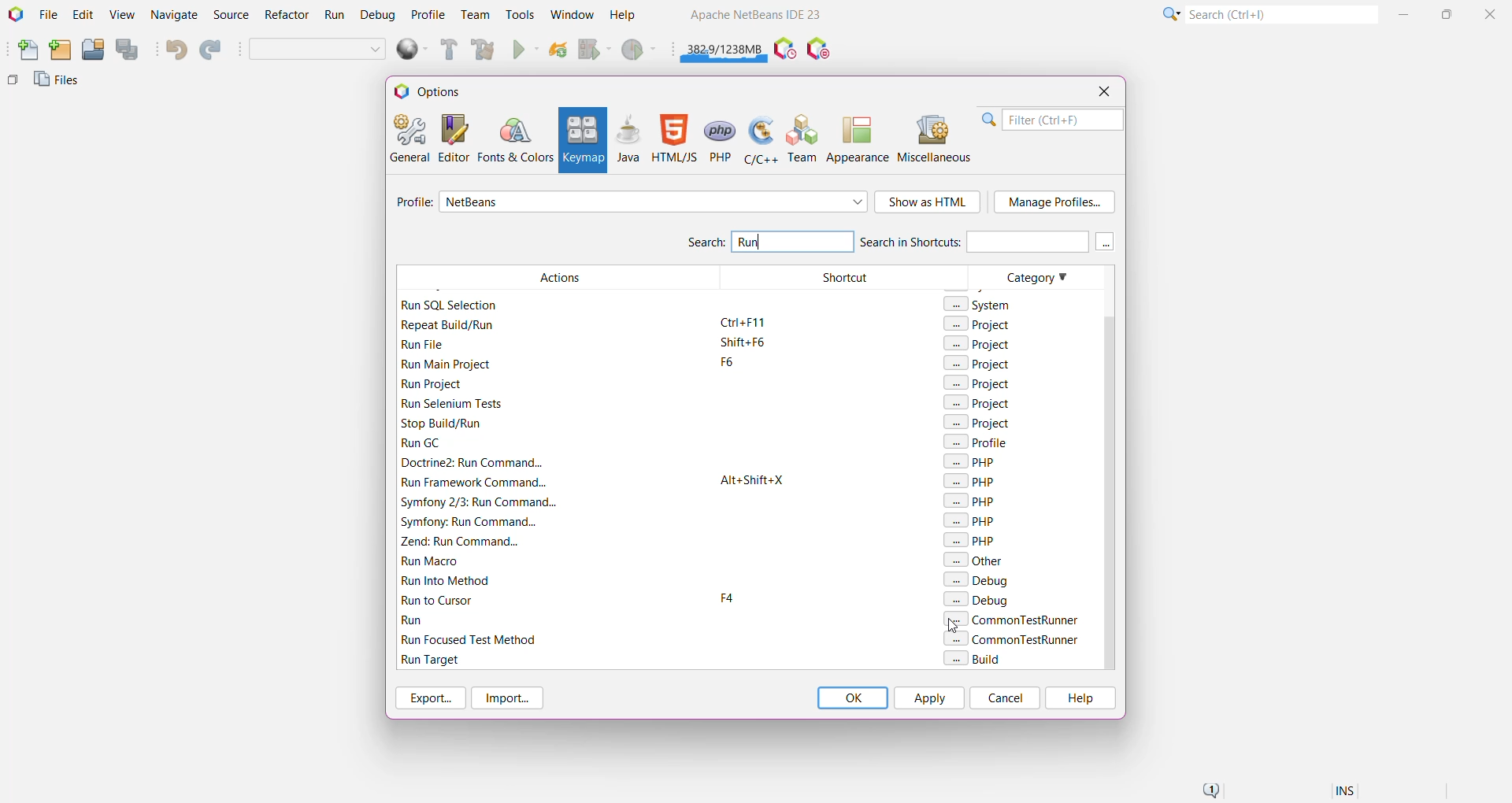 This screenshot has height=803, width=1512. I want to click on Search in Shortcuts, so click(973, 241).